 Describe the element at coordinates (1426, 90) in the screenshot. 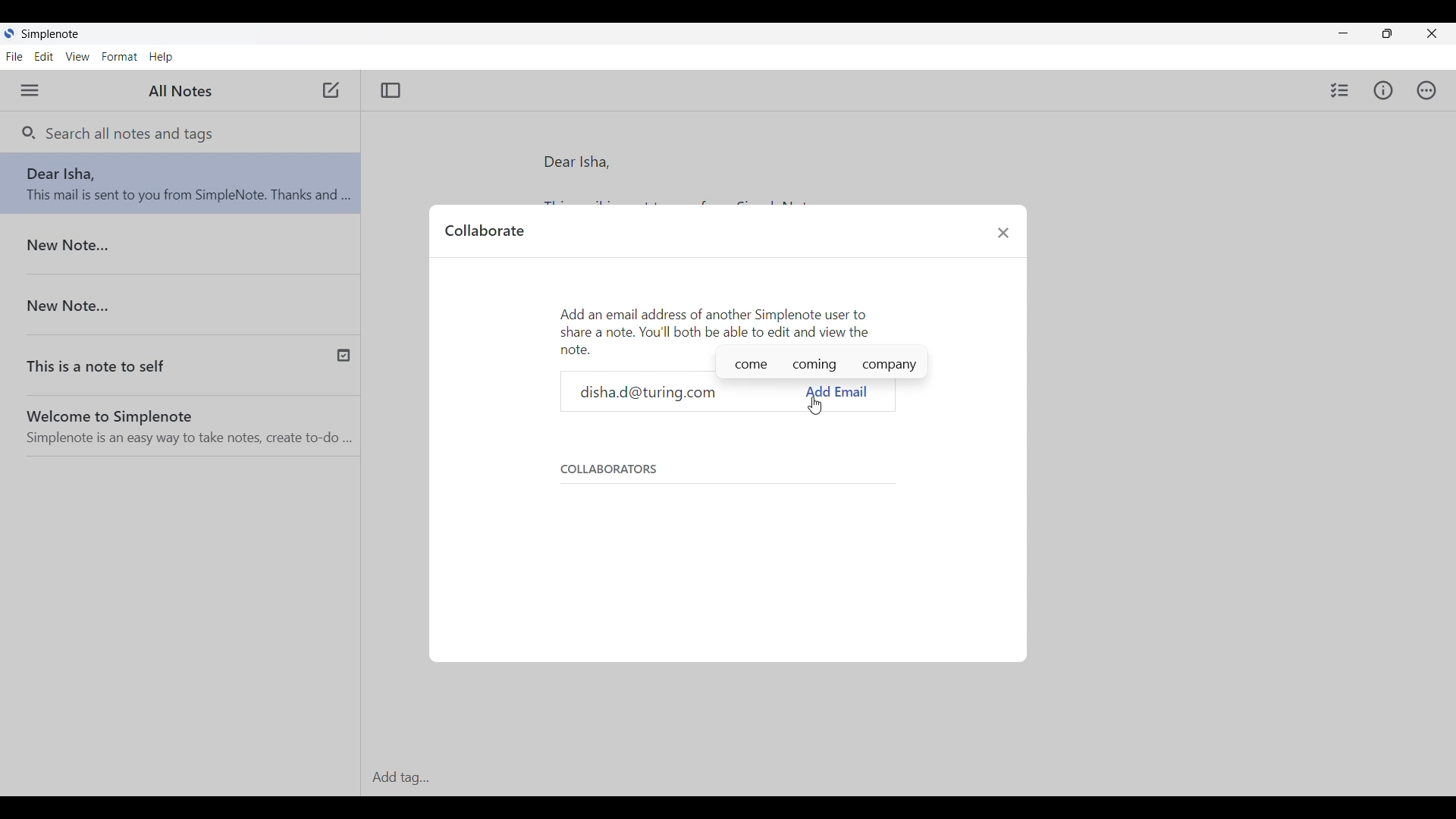

I see `Actions` at that location.